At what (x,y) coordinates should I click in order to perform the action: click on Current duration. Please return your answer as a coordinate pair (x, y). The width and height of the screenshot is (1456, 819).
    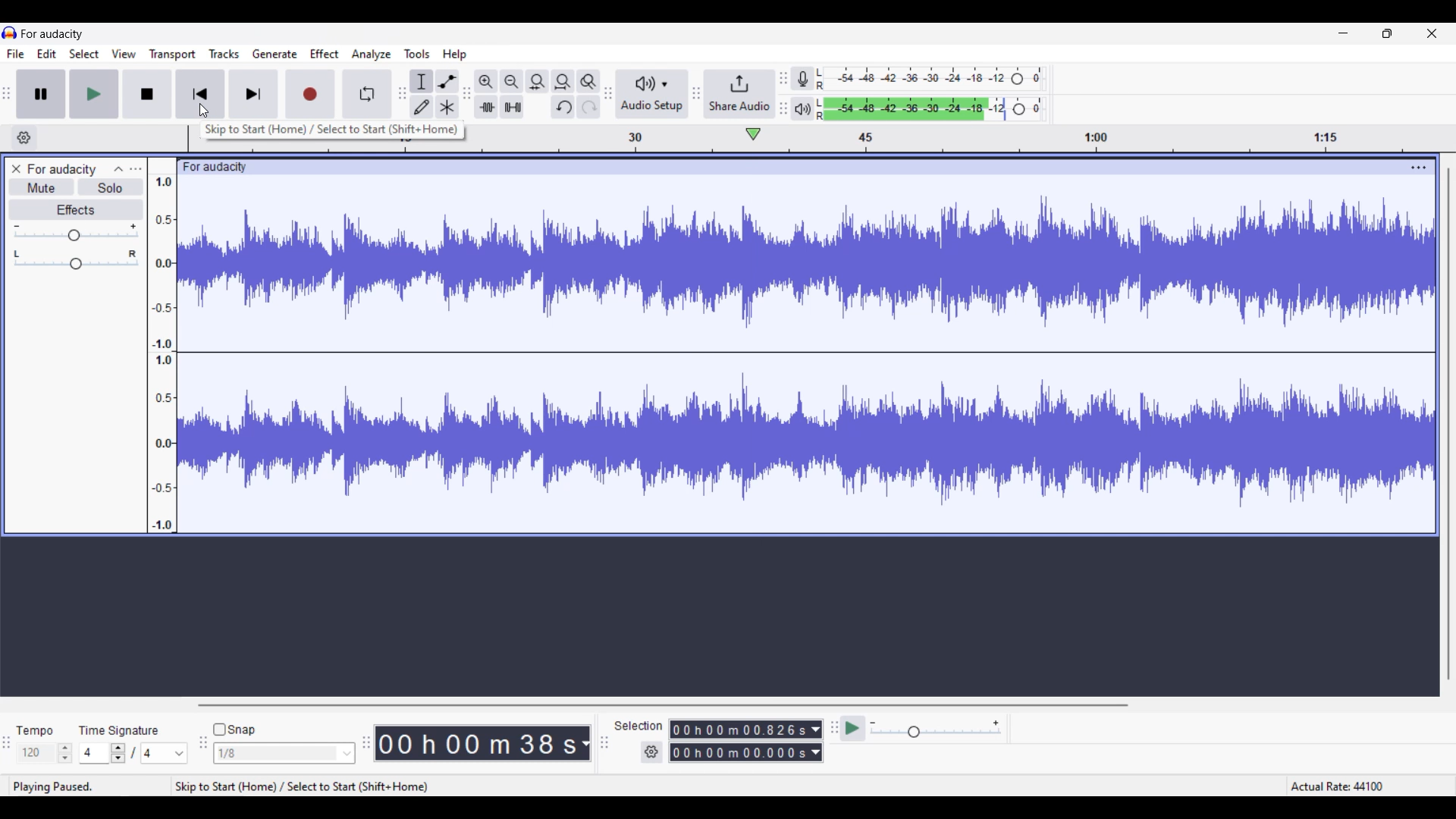
    Looking at the image, I should click on (476, 742).